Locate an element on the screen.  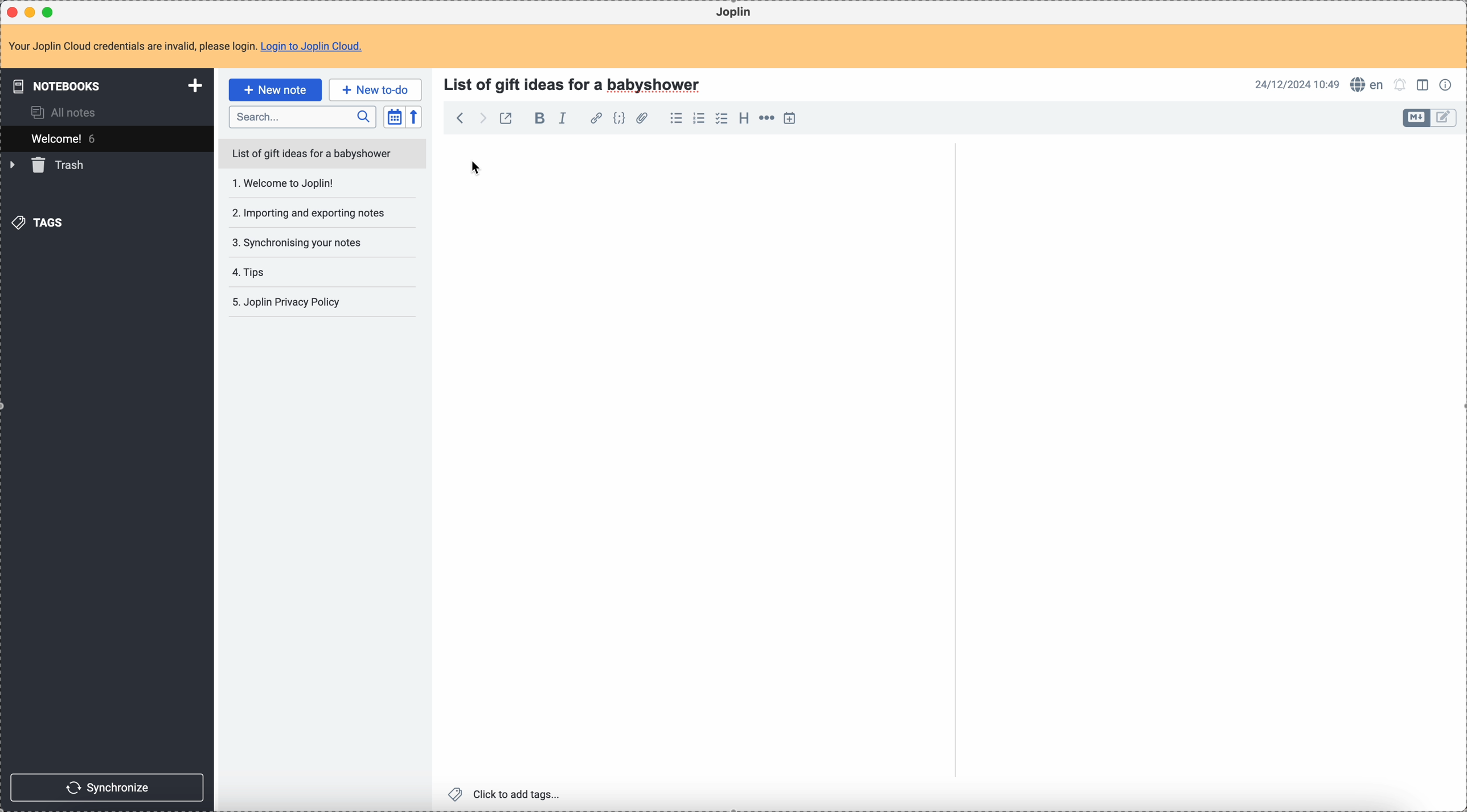
toggle edit layout is located at coordinates (1425, 87).